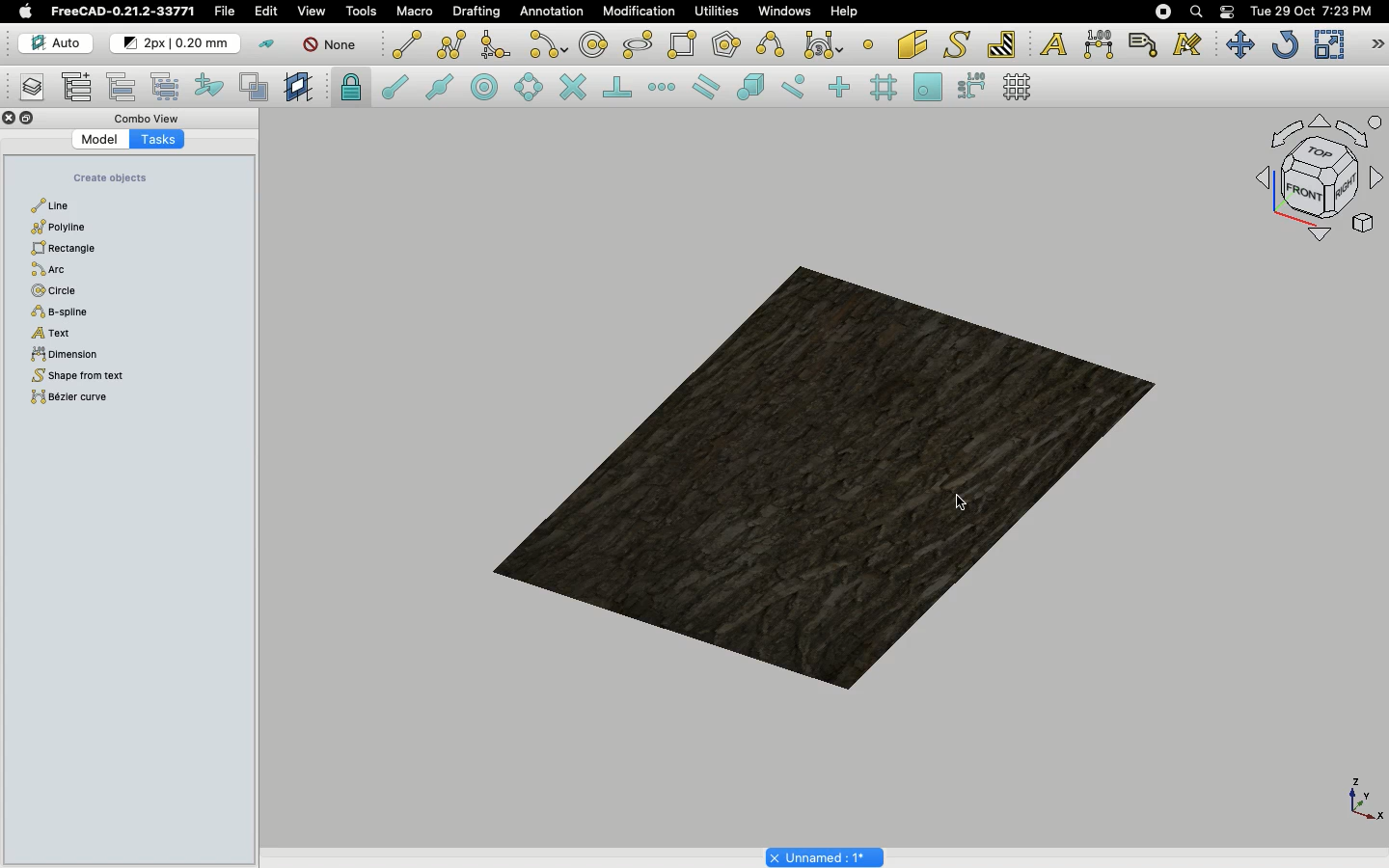 The width and height of the screenshot is (1389, 868). What do you see at coordinates (885, 87) in the screenshot?
I see `Snap grid` at bounding box center [885, 87].